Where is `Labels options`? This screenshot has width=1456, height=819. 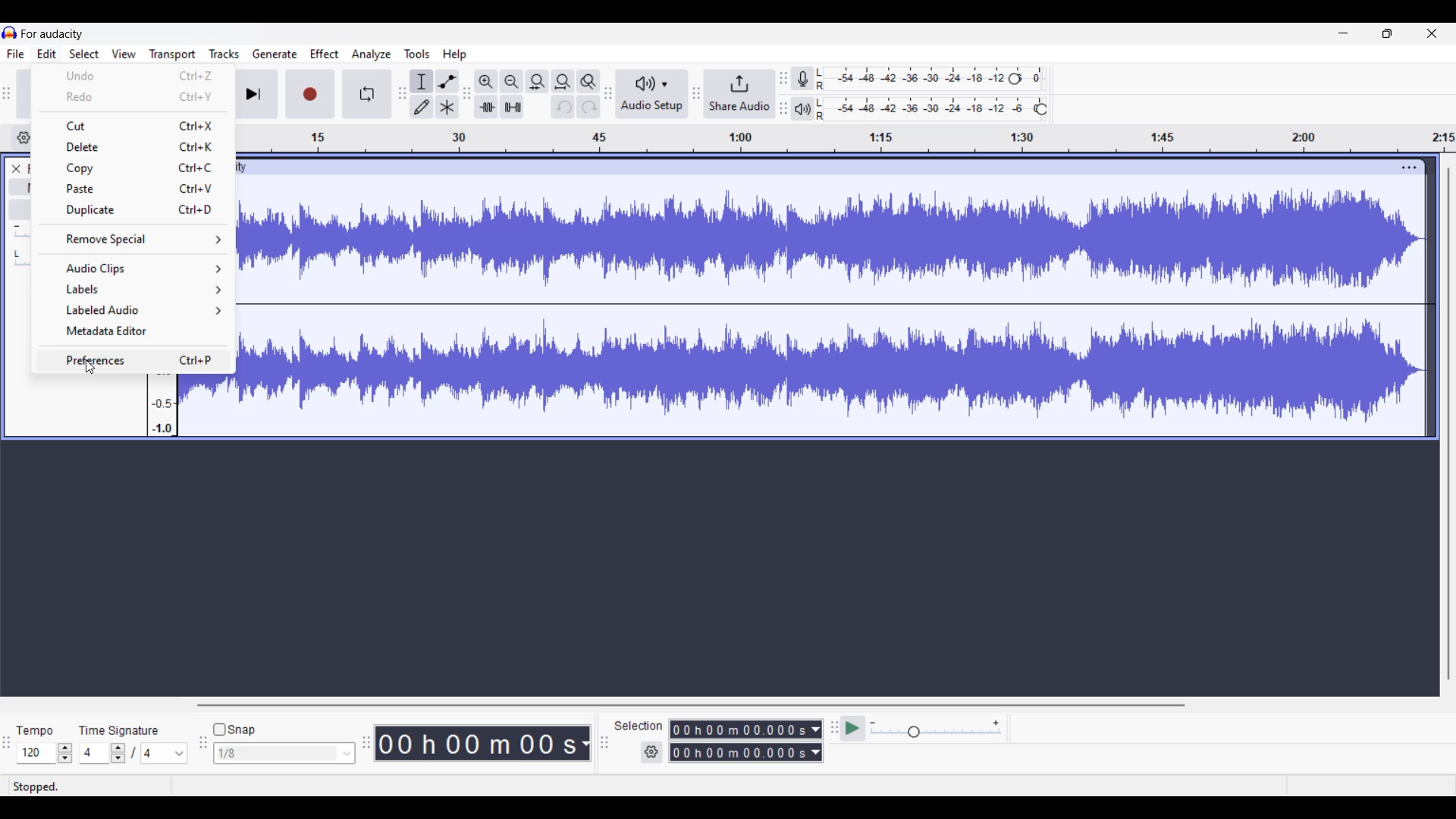
Labels options is located at coordinates (133, 290).